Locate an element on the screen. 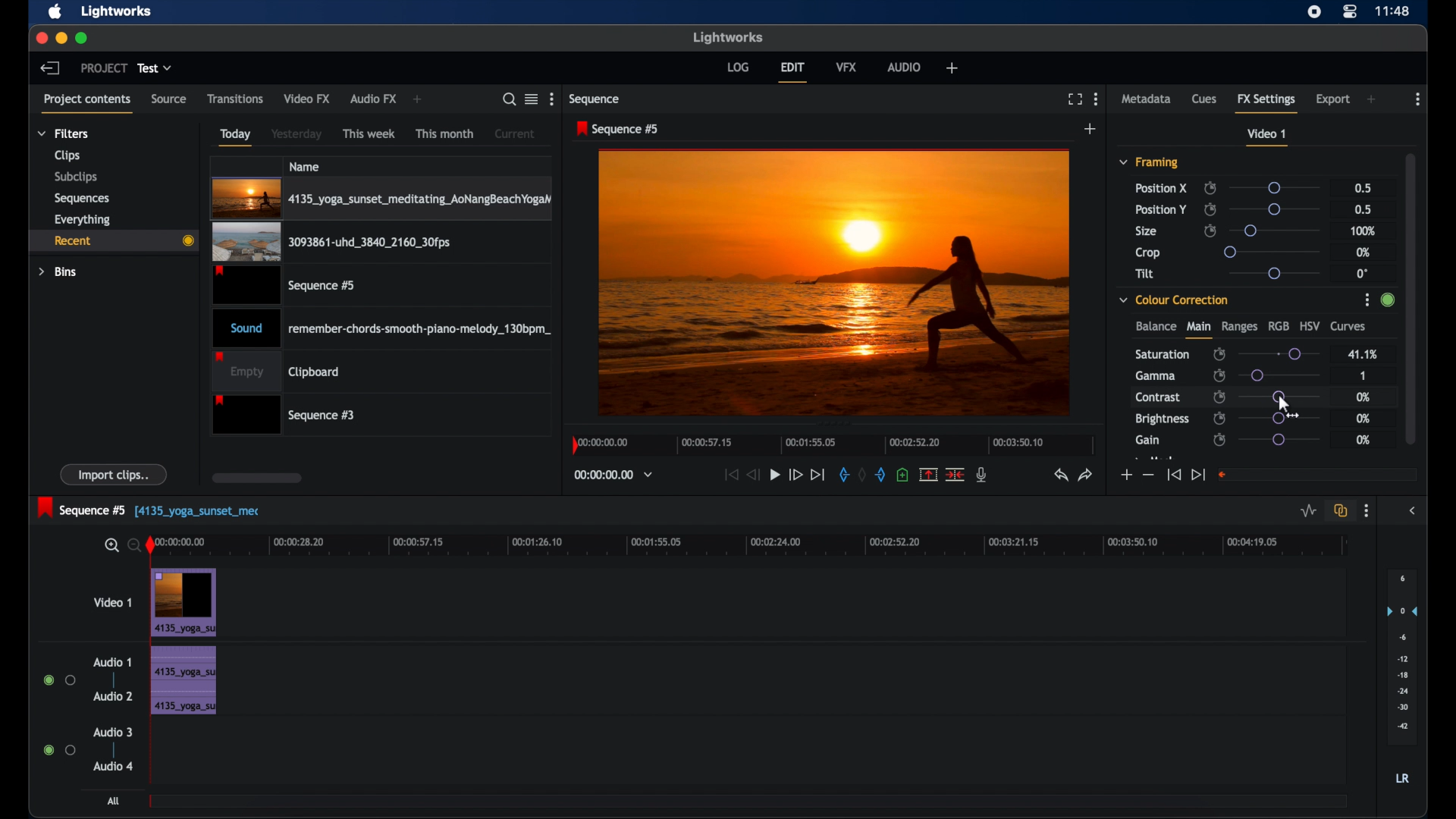 This screenshot has height=819, width=1456. slider is located at coordinates (1278, 209).